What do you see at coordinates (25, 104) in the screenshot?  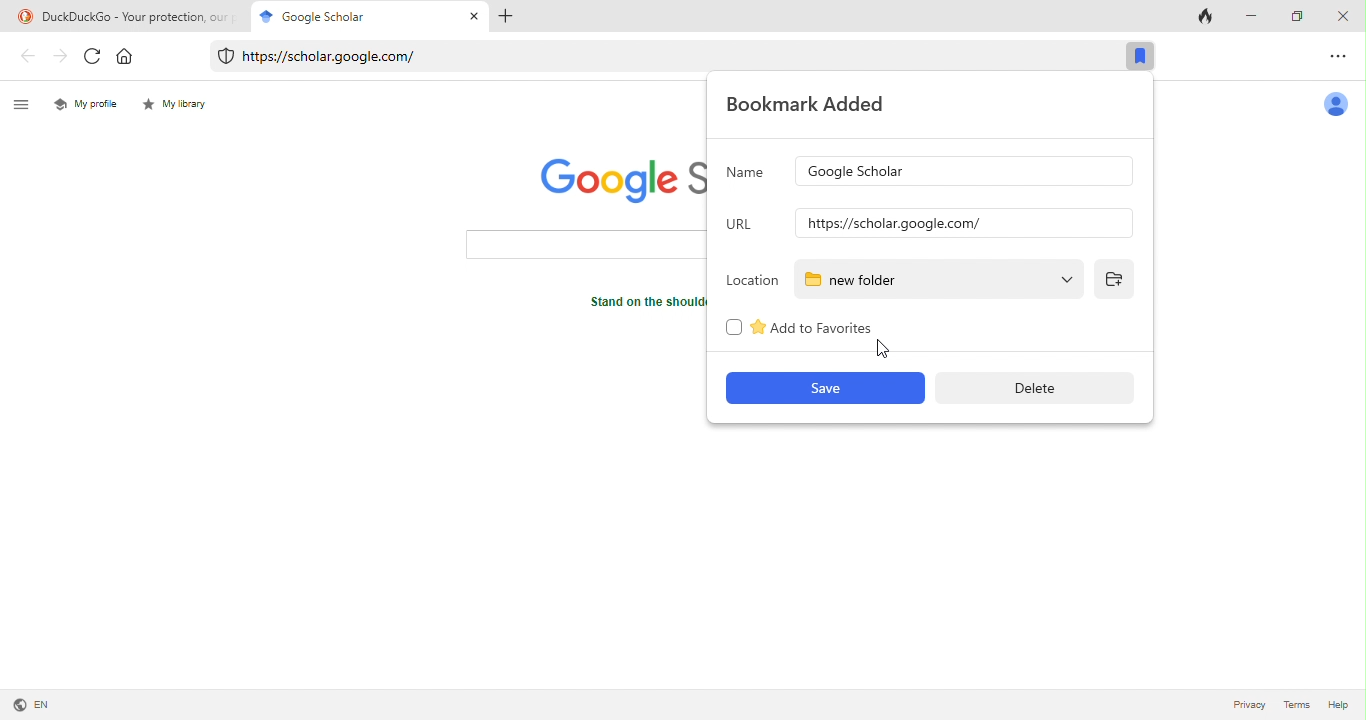 I see `menu` at bounding box center [25, 104].